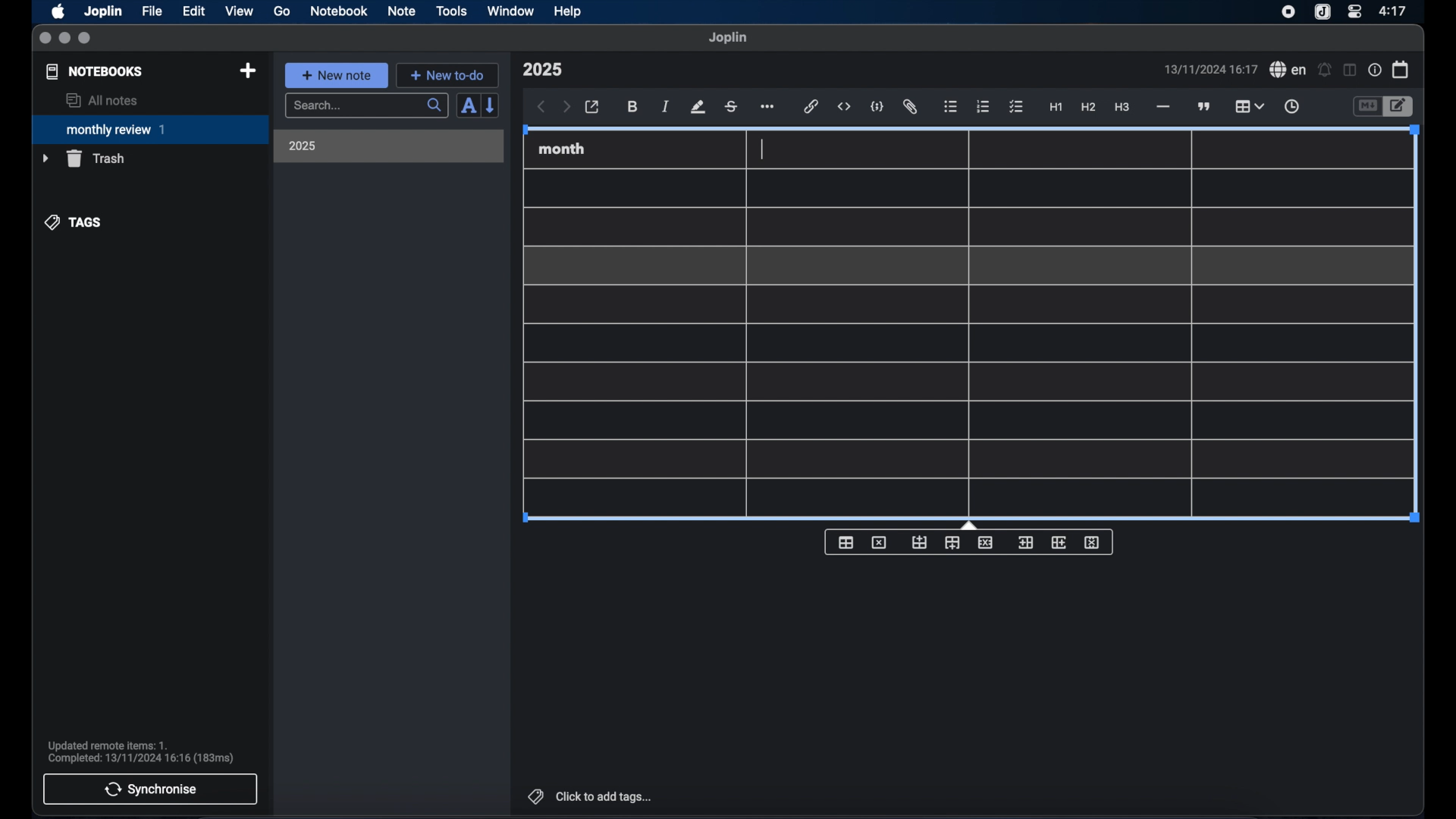  Describe the element at coordinates (451, 11) in the screenshot. I see `tools` at that location.